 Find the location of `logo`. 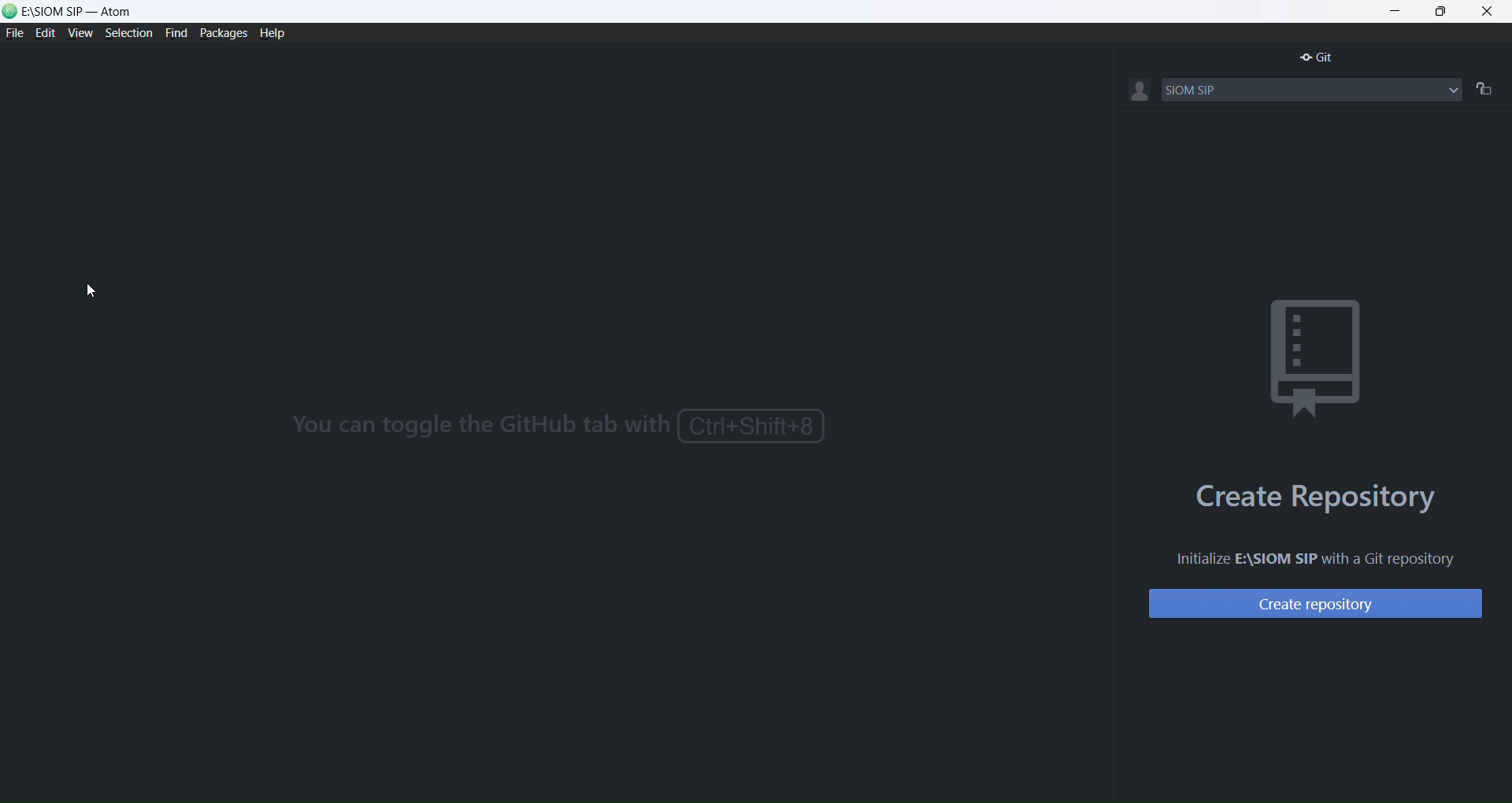

logo is located at coordinates (11, 12).